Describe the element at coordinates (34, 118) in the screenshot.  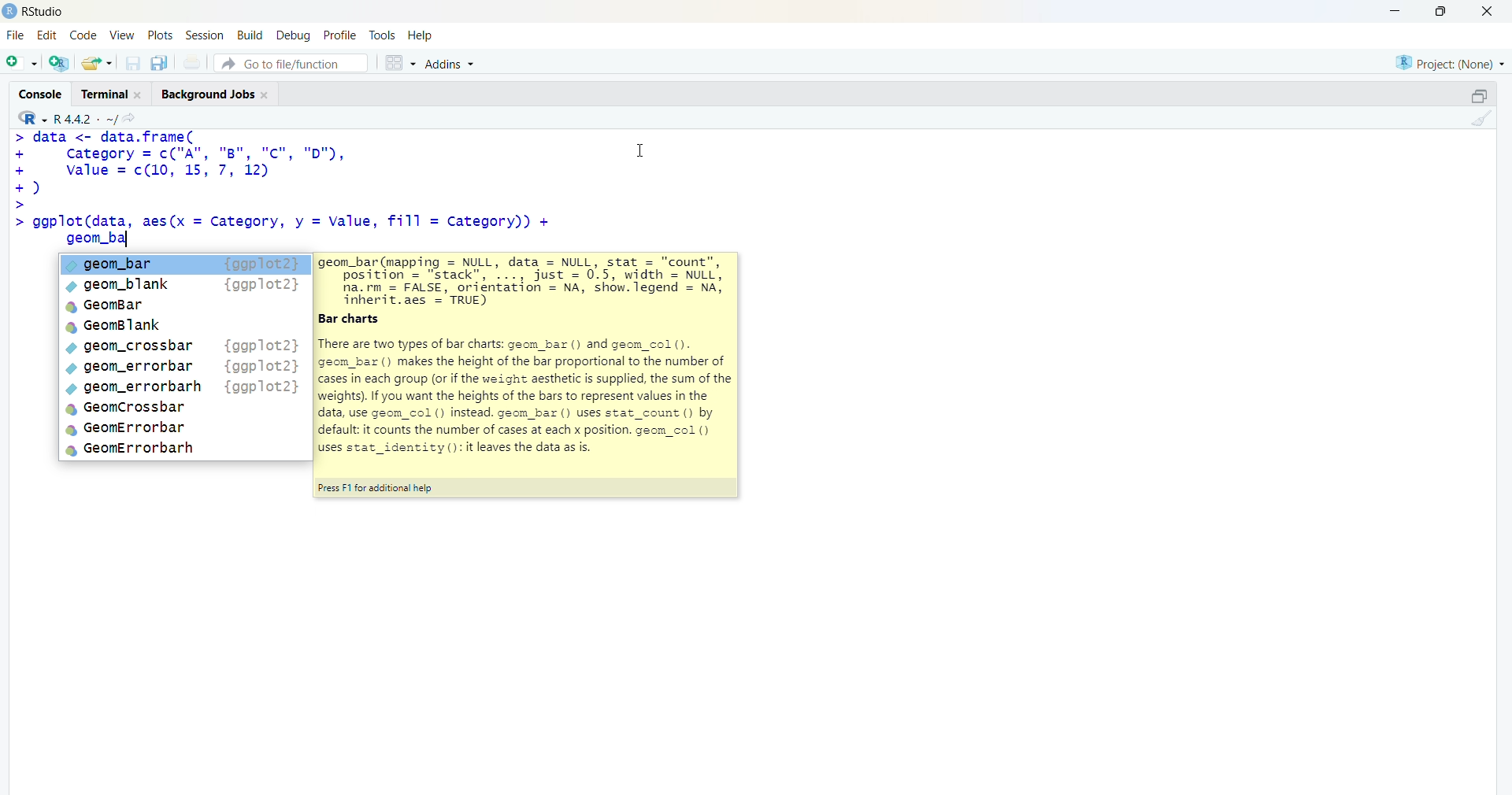
I see `R language` at that location.